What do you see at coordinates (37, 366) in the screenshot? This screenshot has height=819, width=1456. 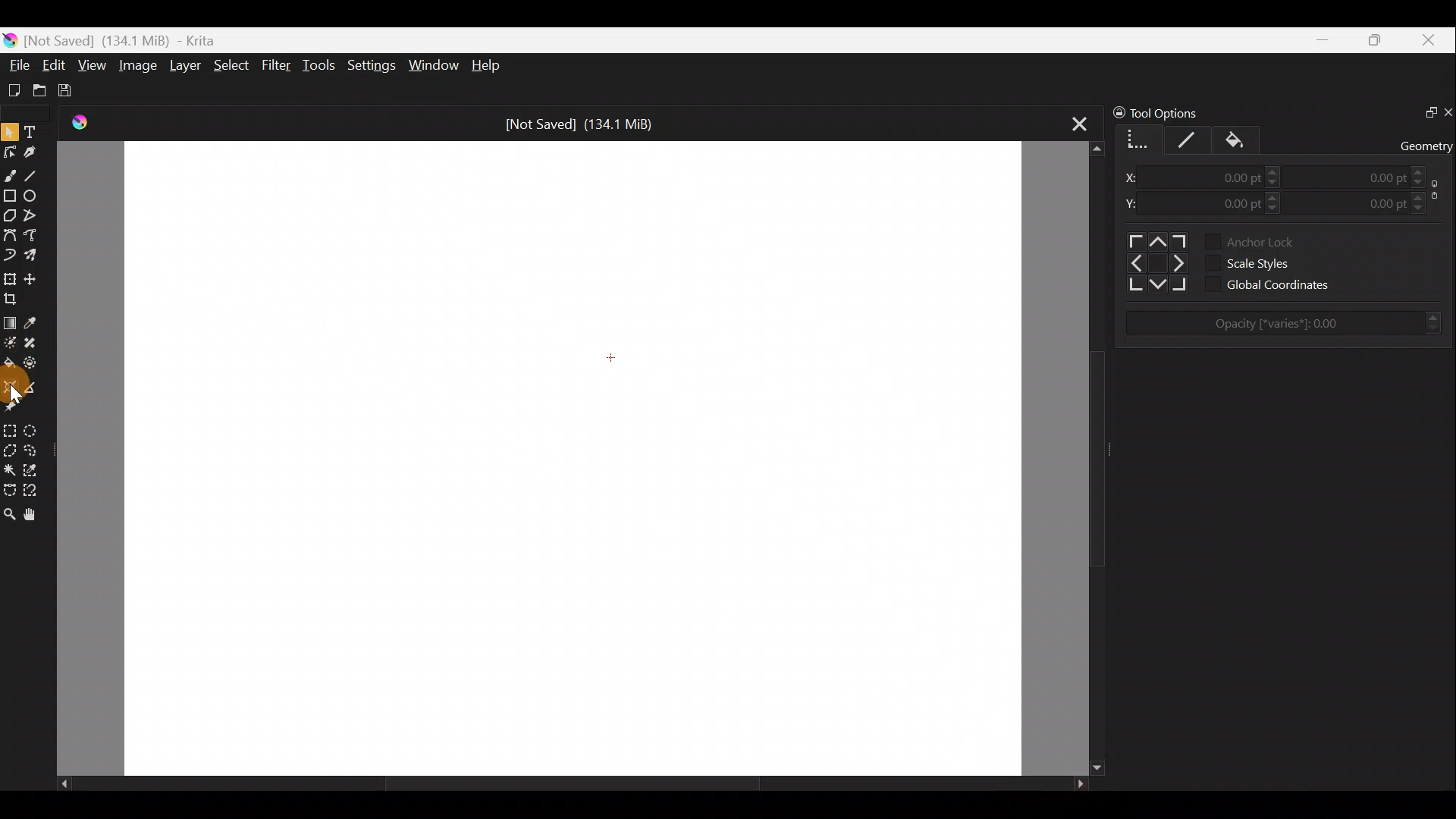 I see `Enclose and fill tool` at bounding box center [37, 366].